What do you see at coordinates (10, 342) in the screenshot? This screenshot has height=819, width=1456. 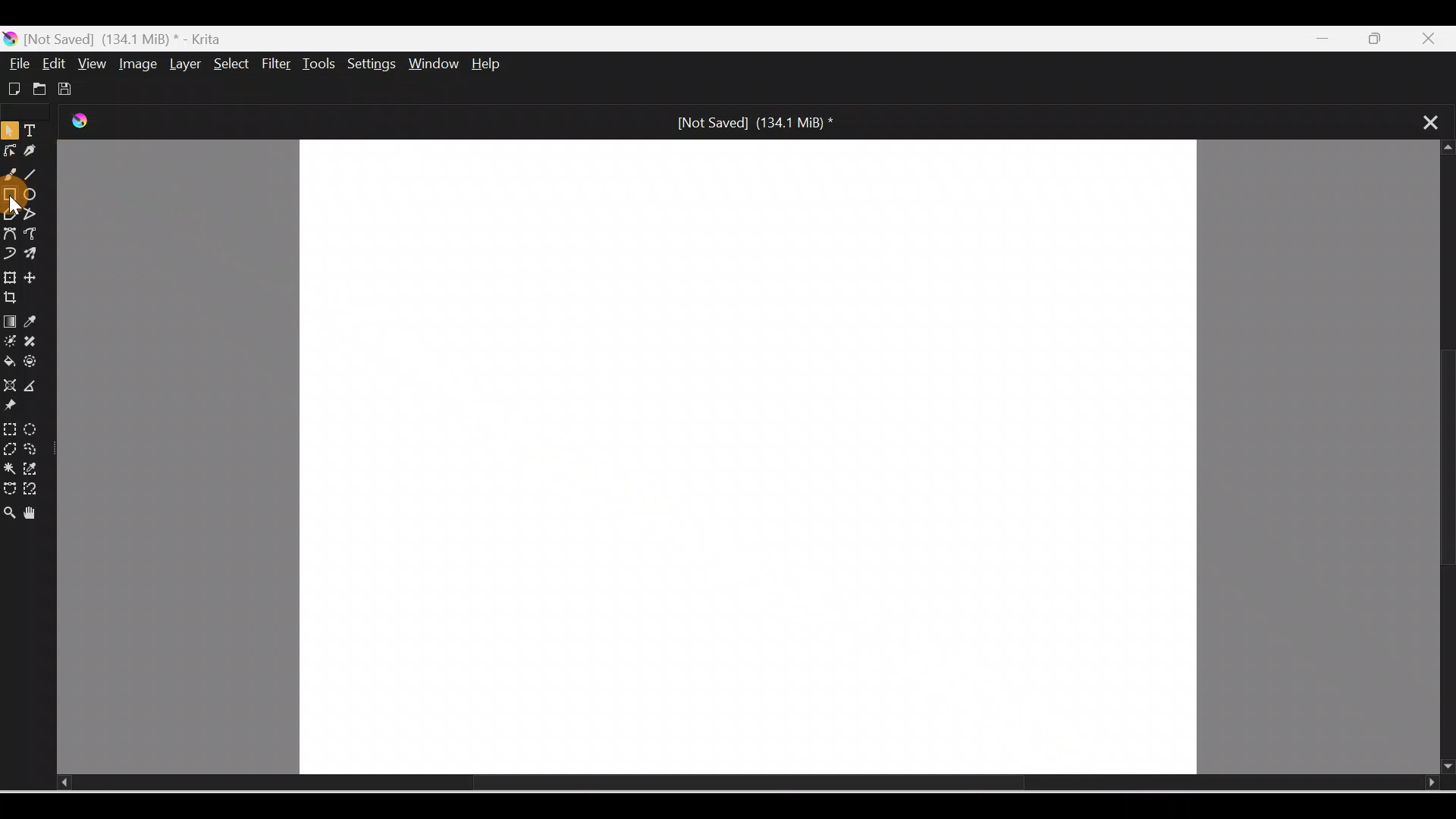 I see `Colorize mask tool` at bounding box center [10, 342].